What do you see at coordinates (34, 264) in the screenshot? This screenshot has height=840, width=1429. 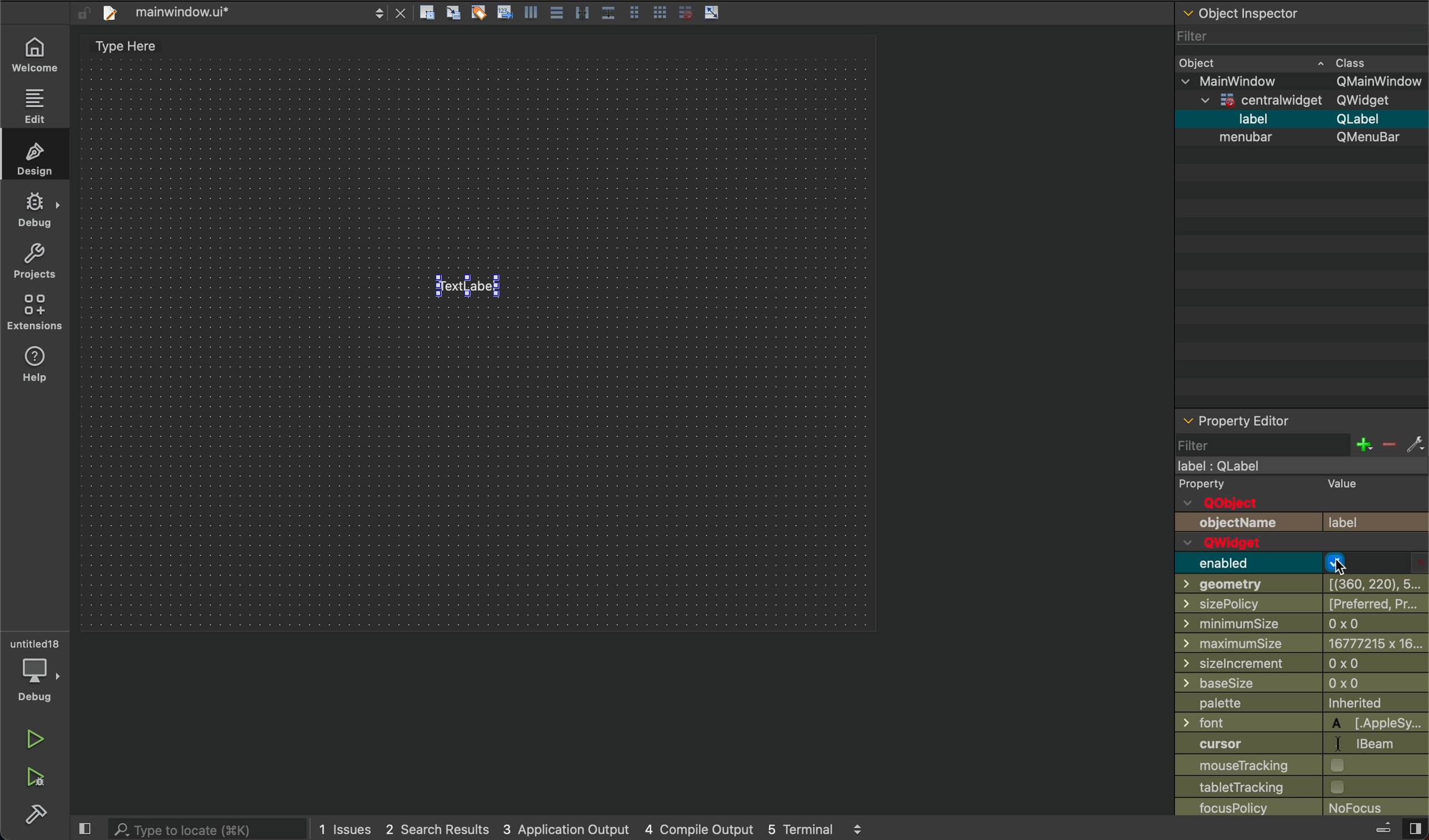 I see `project` at bounding box center [34, 264].